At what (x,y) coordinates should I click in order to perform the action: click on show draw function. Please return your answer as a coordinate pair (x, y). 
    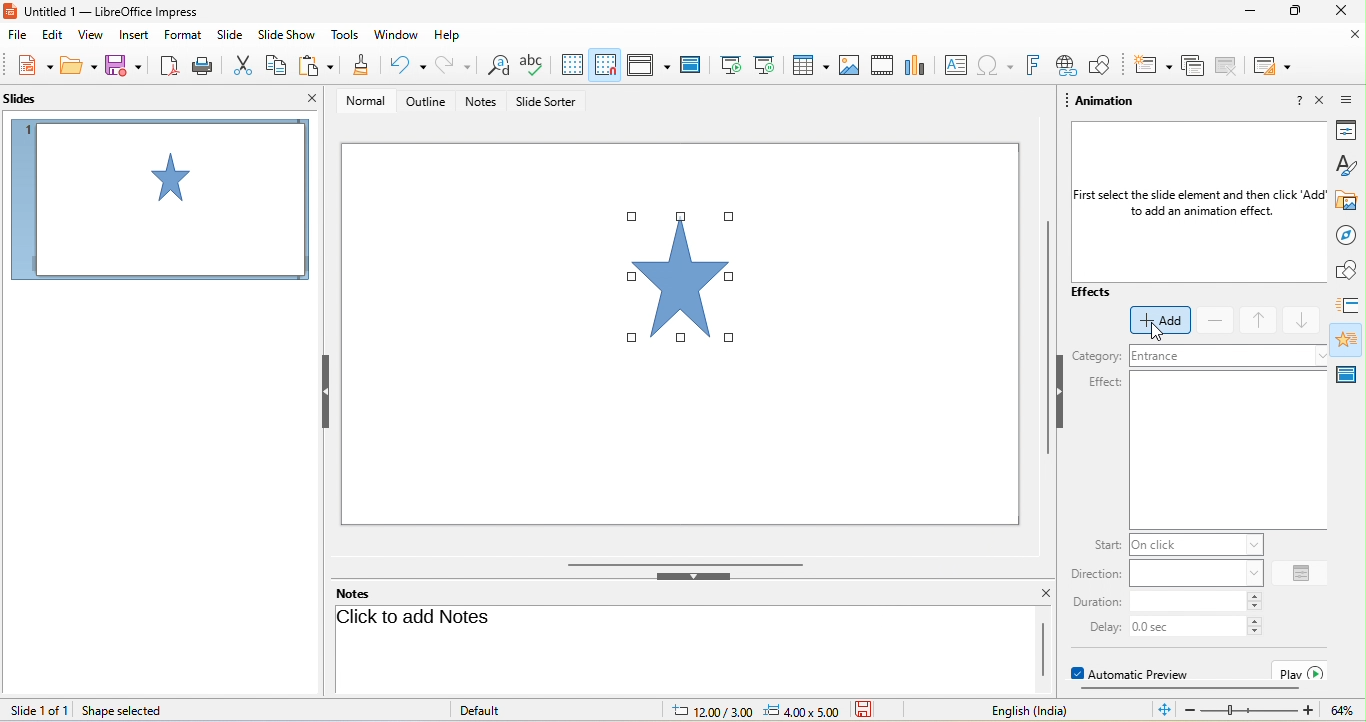
    Looking at the image, I should click on (1100, 64).